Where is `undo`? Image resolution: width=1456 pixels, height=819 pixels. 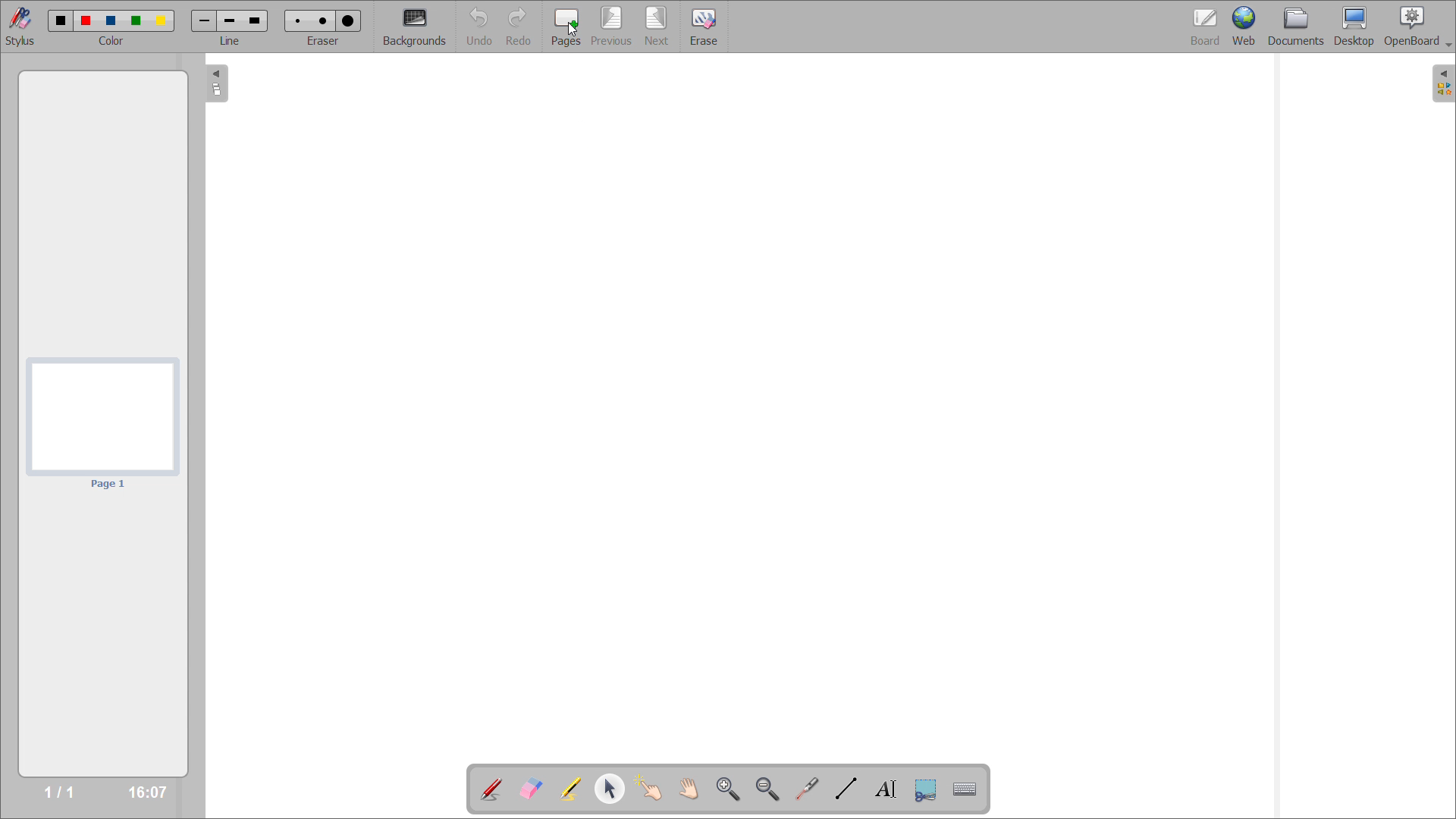 undo is located at coordinates (481, 27).